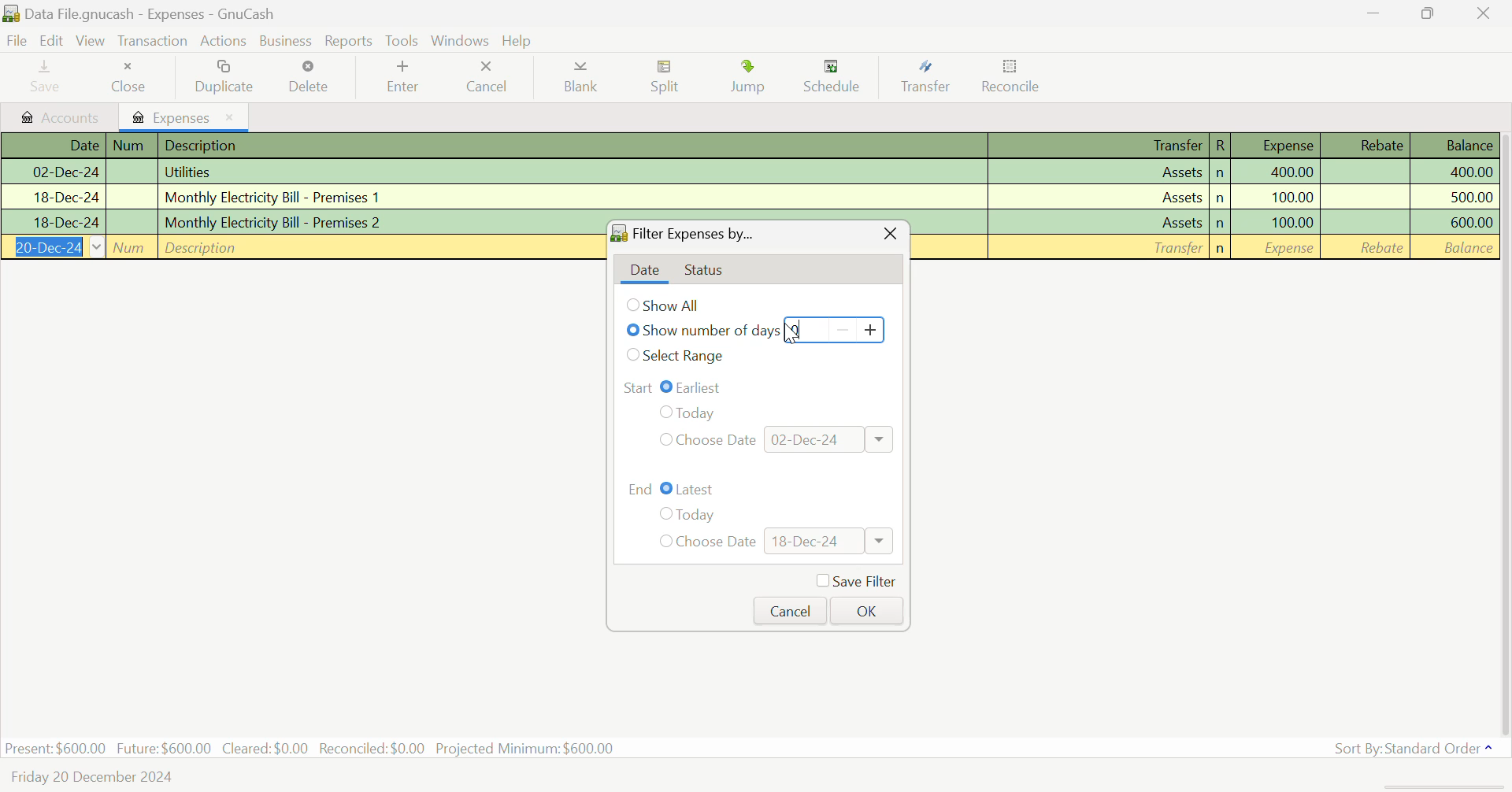 This screenshot has height=792, width=1512. I want to click on Cancel, so click(491, 79).